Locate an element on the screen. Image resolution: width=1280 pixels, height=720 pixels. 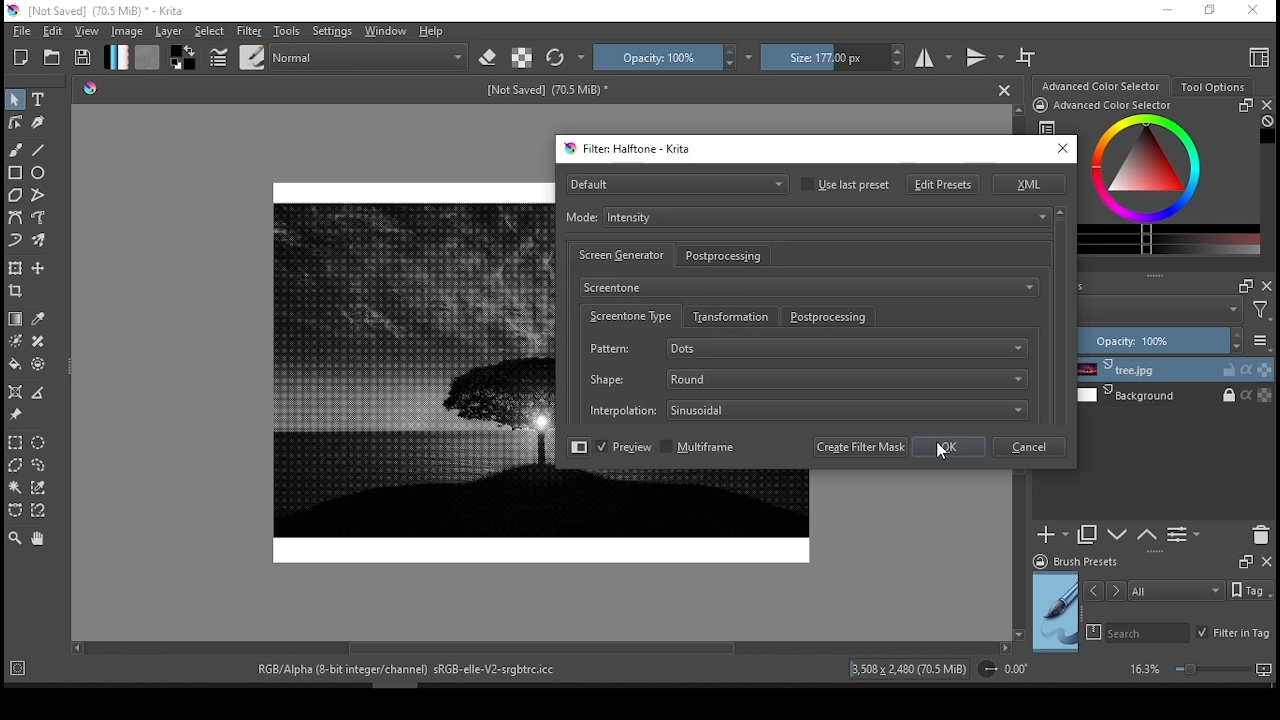
ellipse tool is located at coordinates (44, 173).